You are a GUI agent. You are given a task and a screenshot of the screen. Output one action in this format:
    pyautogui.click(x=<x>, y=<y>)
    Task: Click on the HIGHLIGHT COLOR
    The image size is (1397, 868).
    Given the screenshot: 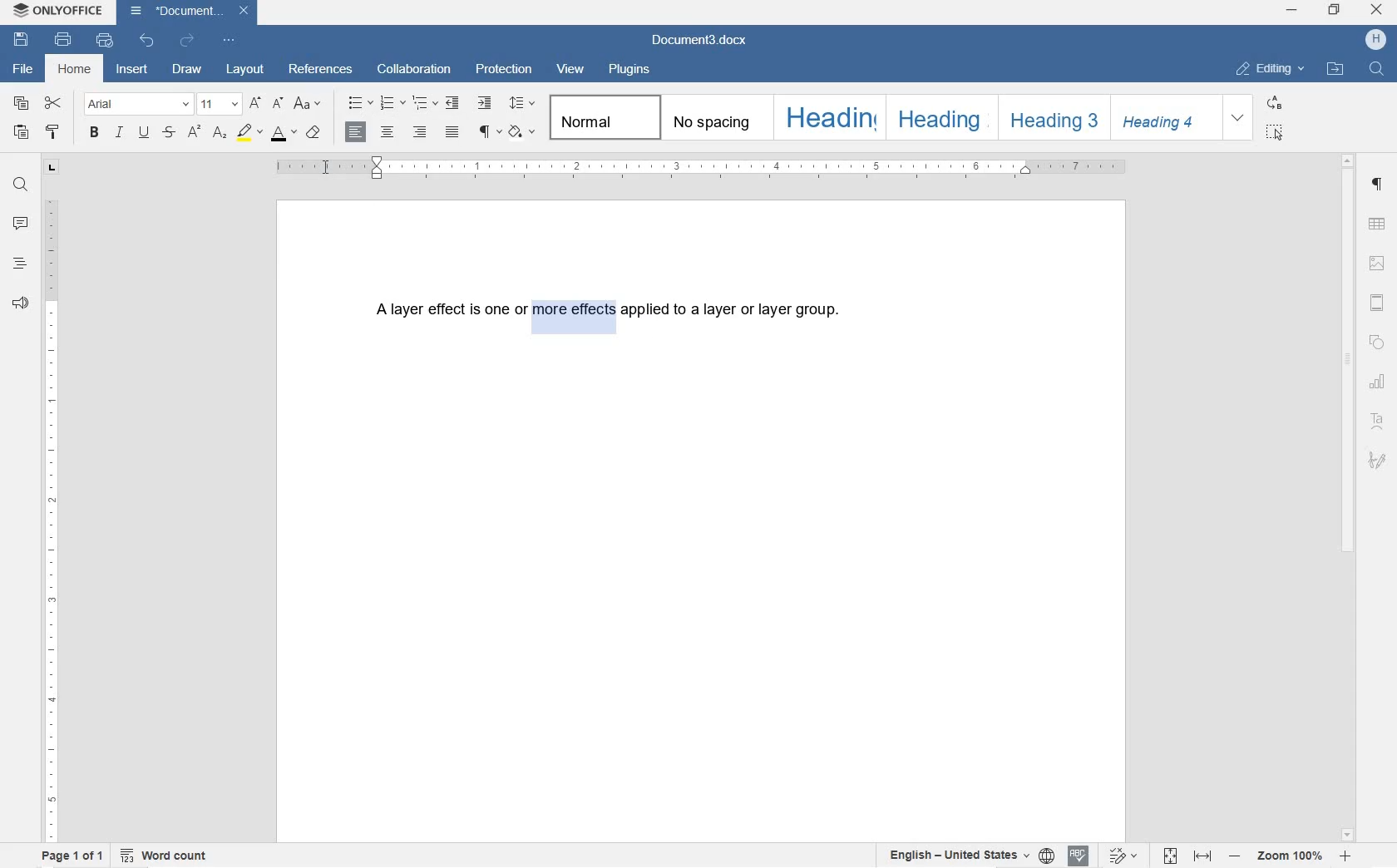 What is the action you would take?
    pyautogui.click(x=249, y=132)
    